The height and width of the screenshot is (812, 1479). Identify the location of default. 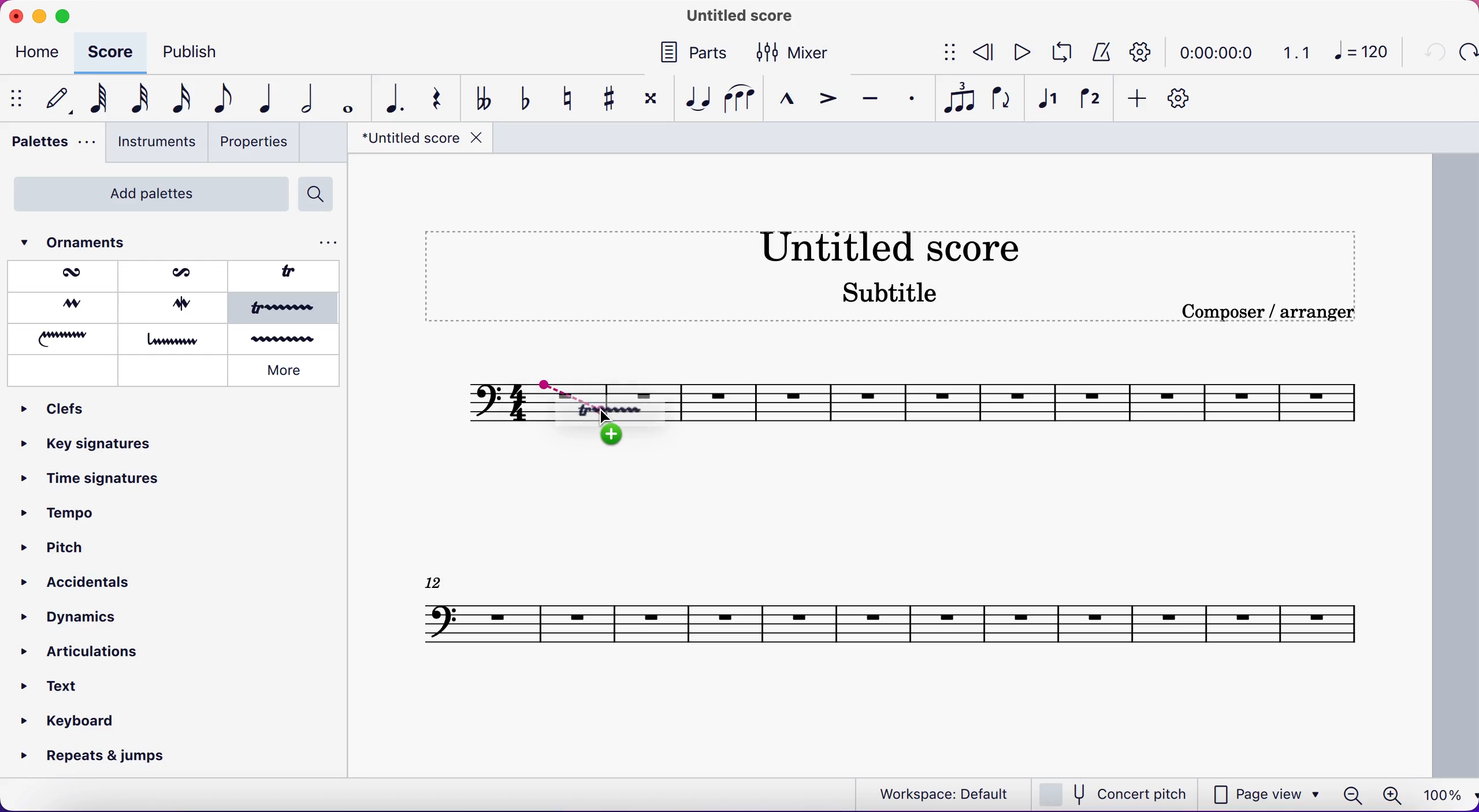
(53, 99).